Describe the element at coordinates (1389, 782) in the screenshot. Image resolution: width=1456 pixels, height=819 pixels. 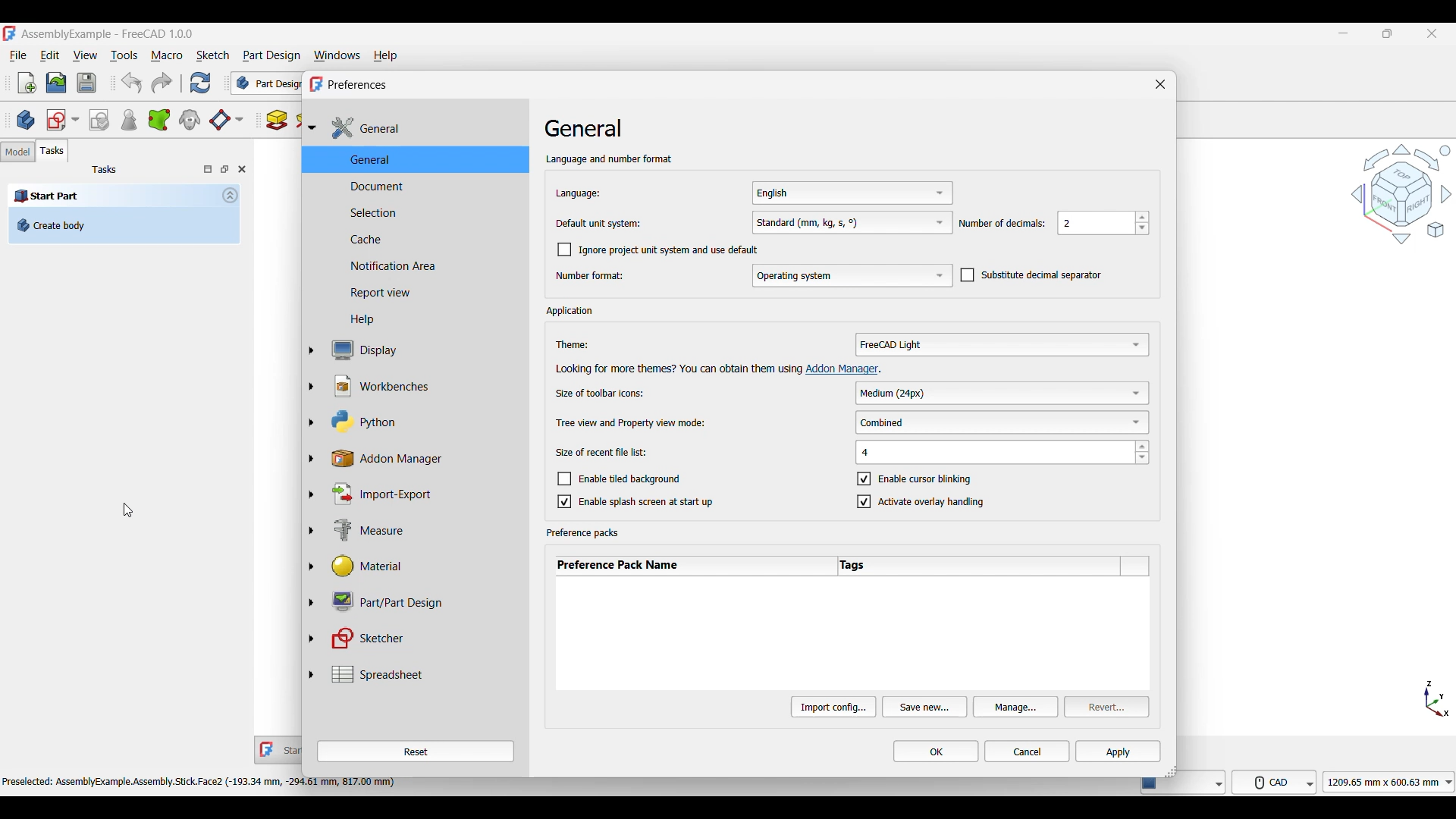
I see `1209.65 mm x 600.63 mm` at that location.